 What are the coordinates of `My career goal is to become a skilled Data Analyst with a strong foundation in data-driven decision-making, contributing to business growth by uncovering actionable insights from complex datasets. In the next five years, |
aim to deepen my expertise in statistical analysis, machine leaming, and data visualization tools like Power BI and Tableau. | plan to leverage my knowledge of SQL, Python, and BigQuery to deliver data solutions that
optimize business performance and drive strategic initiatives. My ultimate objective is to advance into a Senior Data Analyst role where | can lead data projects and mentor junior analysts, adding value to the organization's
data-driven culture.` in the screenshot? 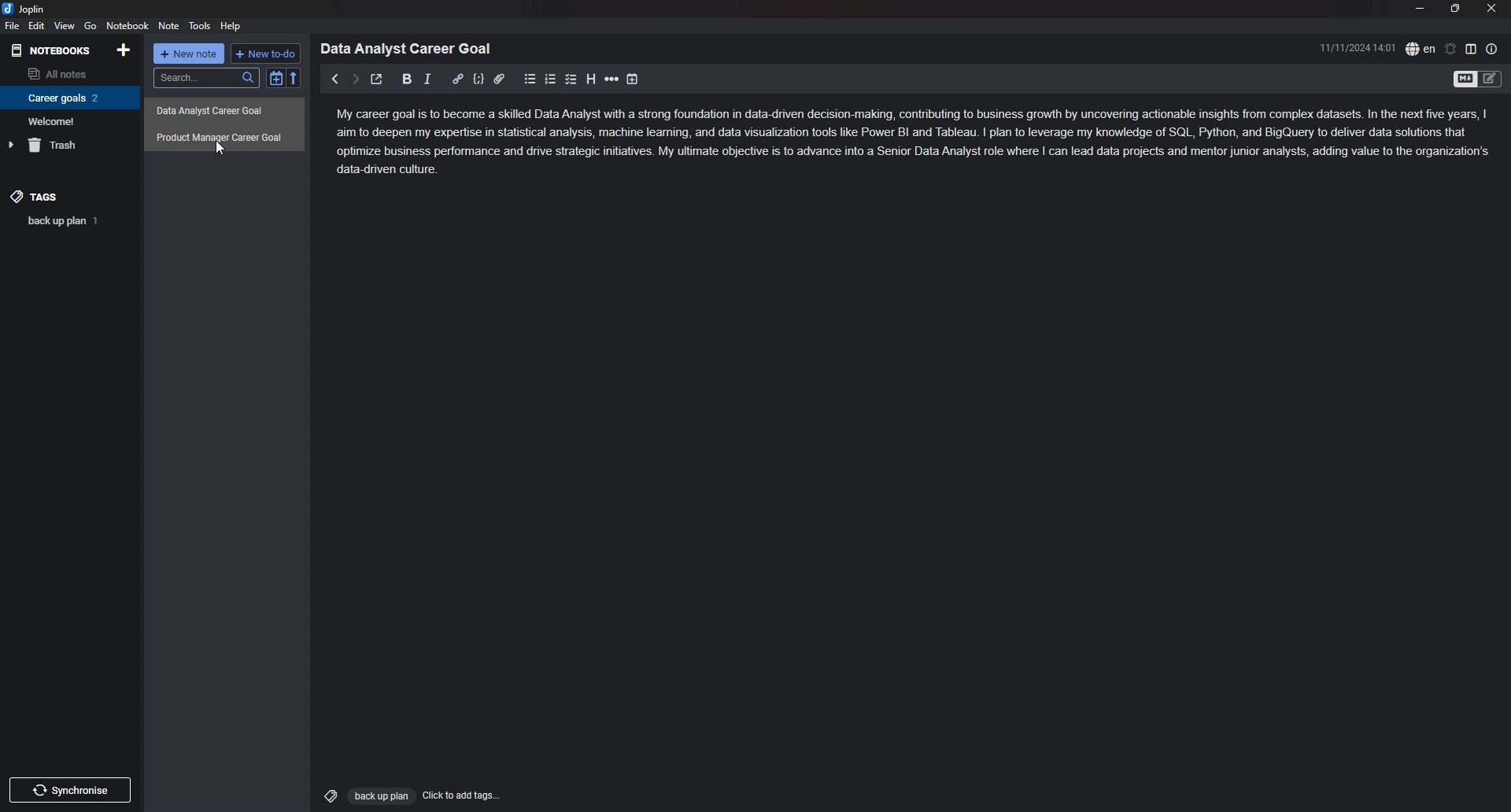 It's located at (915, 145).